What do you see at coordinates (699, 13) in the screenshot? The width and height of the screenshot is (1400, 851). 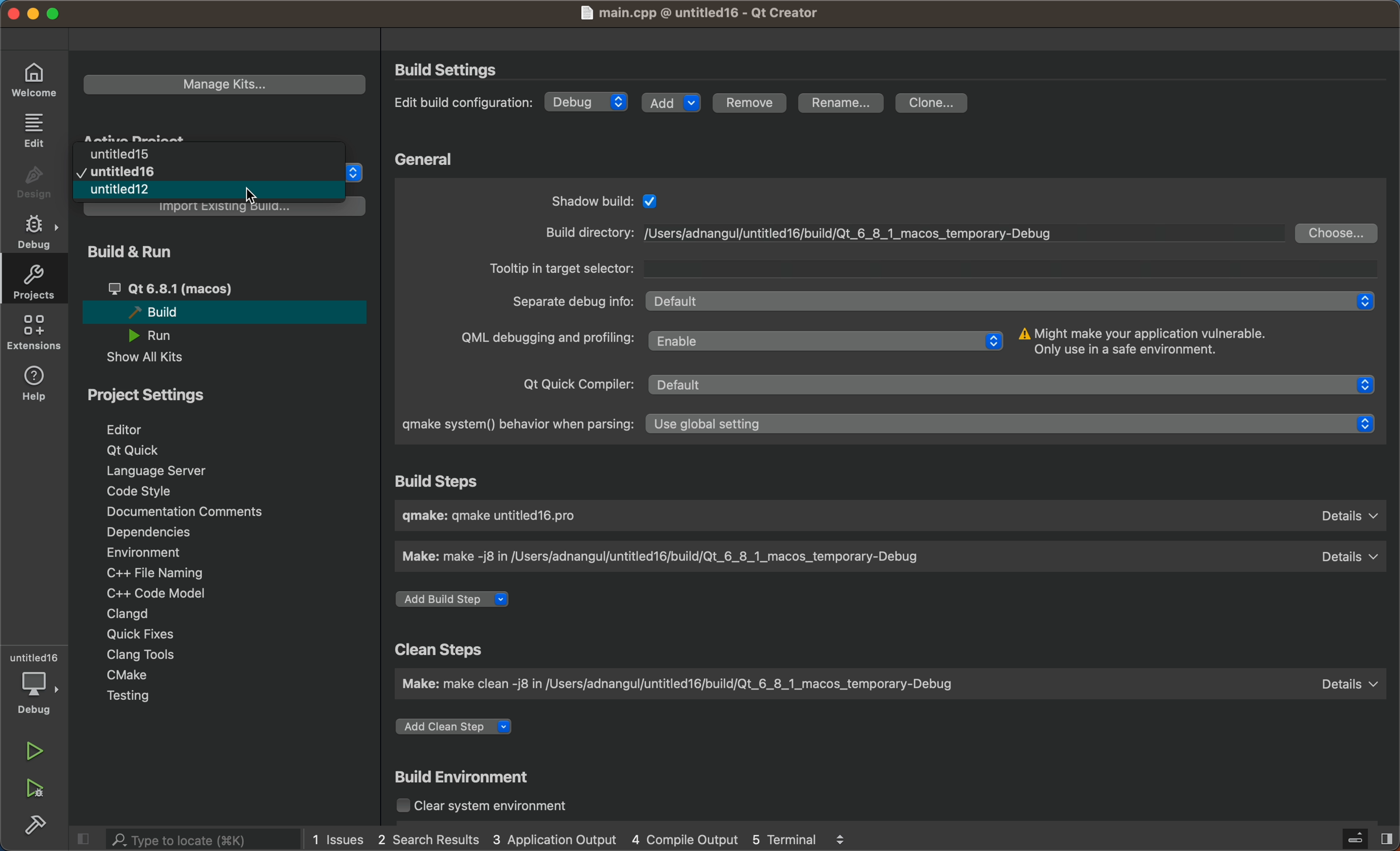 I see `main .cpp` at bounding box center [699, 13].